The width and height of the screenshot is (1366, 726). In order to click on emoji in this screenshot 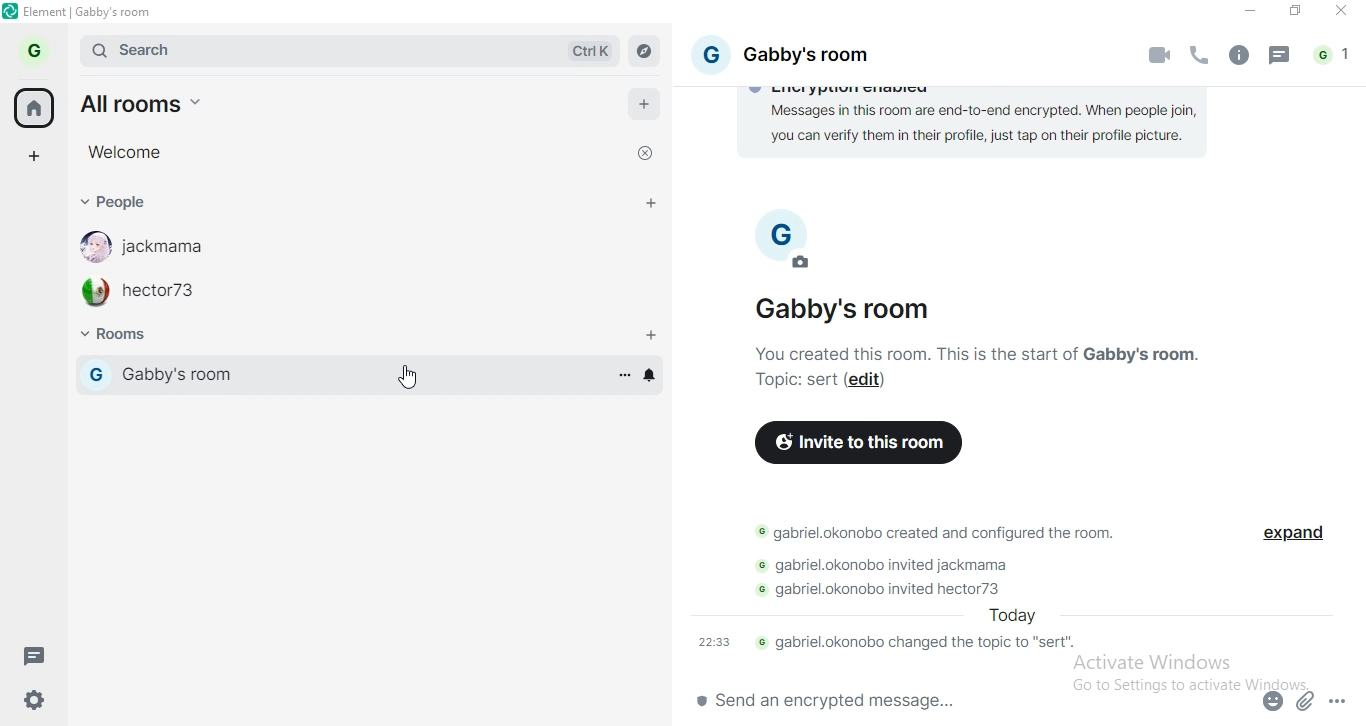, I will do `click(1270, 705)`.